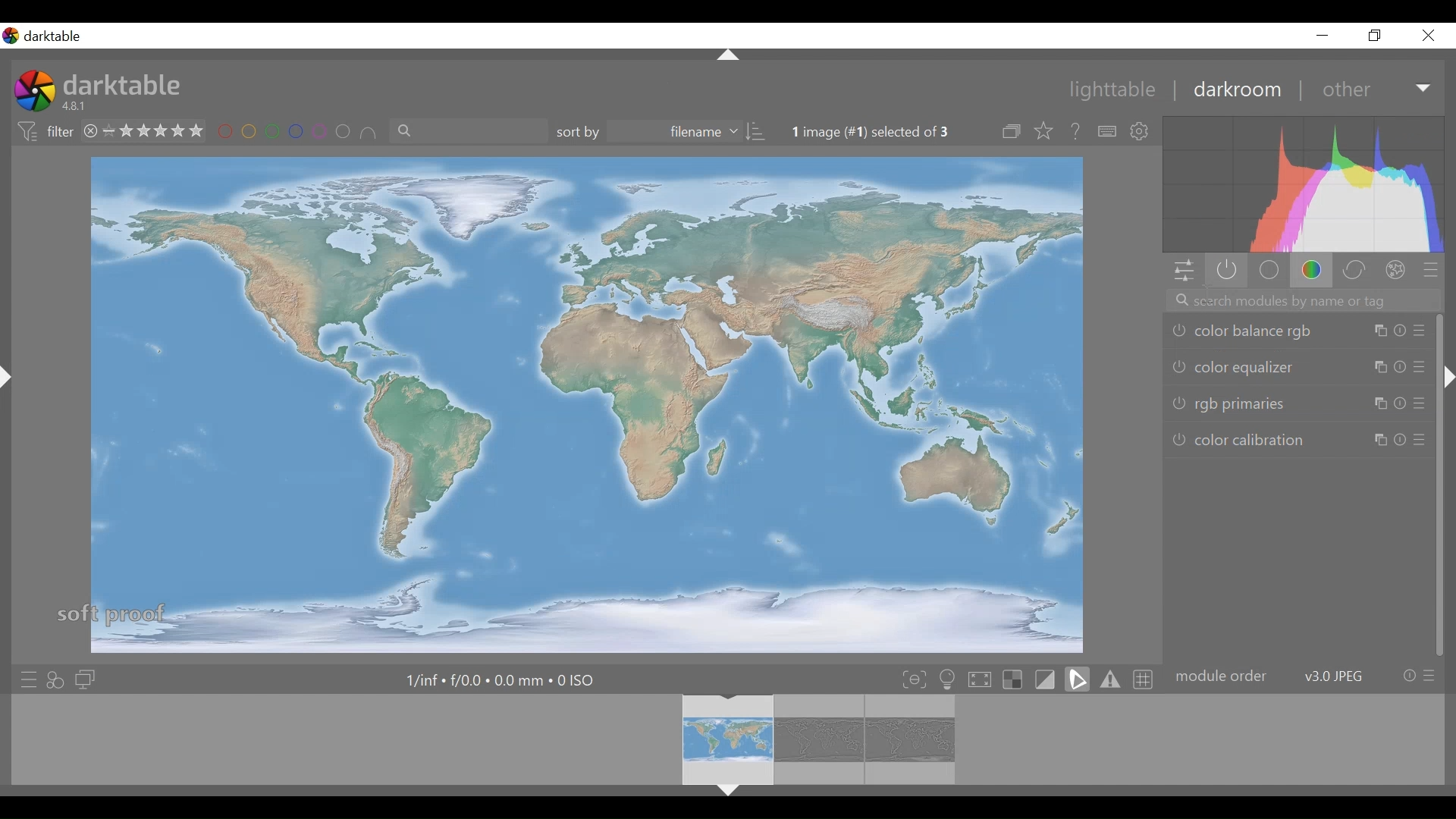 Image resolution: width=1456 pixels, height=819 pixels. Describe the element at coordinates (591, 400) in the screenshot. I see `main editing area` at that location.